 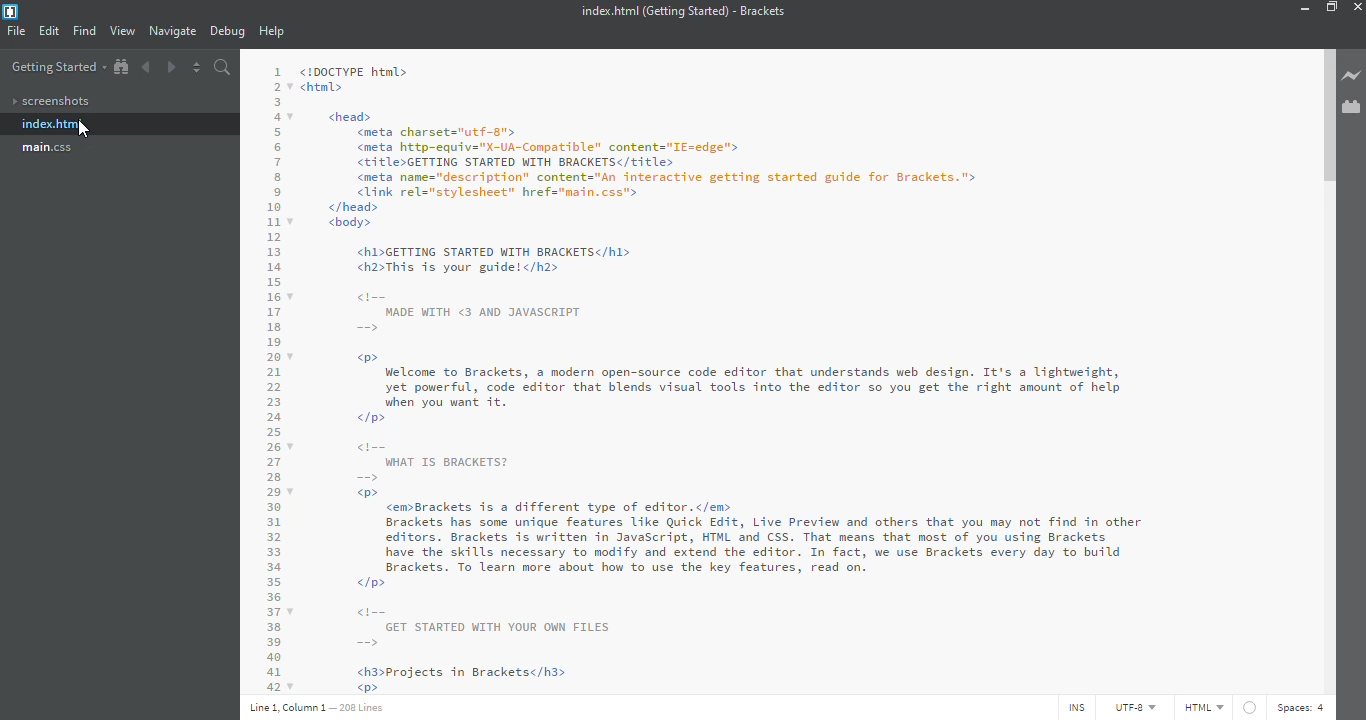 I want to click on back, so click(x=149, y=66).